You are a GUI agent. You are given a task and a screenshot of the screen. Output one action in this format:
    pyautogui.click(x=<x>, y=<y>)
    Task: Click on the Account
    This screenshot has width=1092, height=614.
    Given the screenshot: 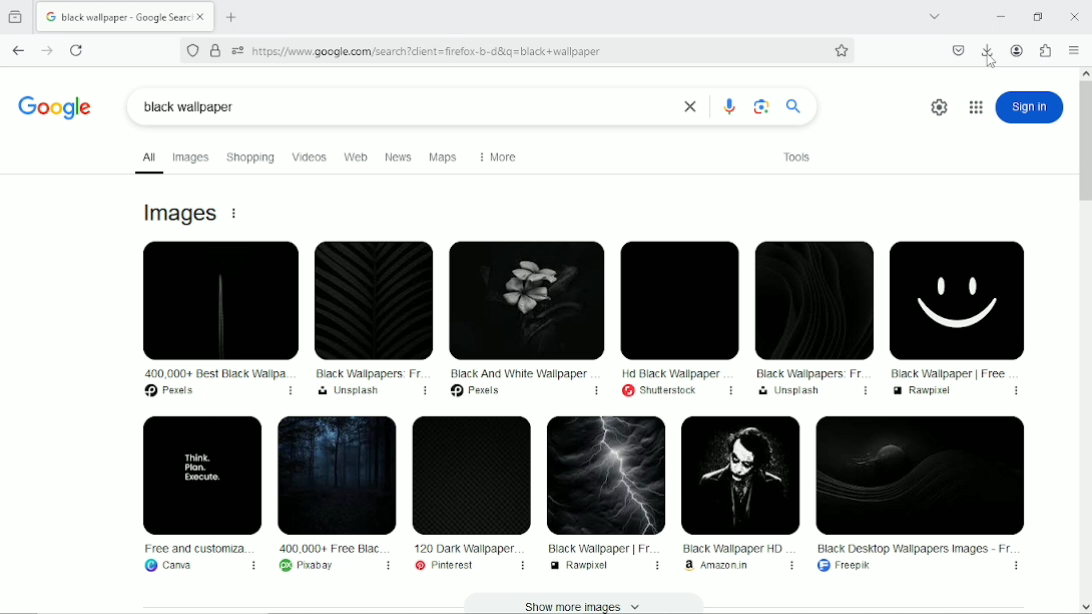 What is the action you would take?
    pyautogui.click(x=1019, y=51)
    